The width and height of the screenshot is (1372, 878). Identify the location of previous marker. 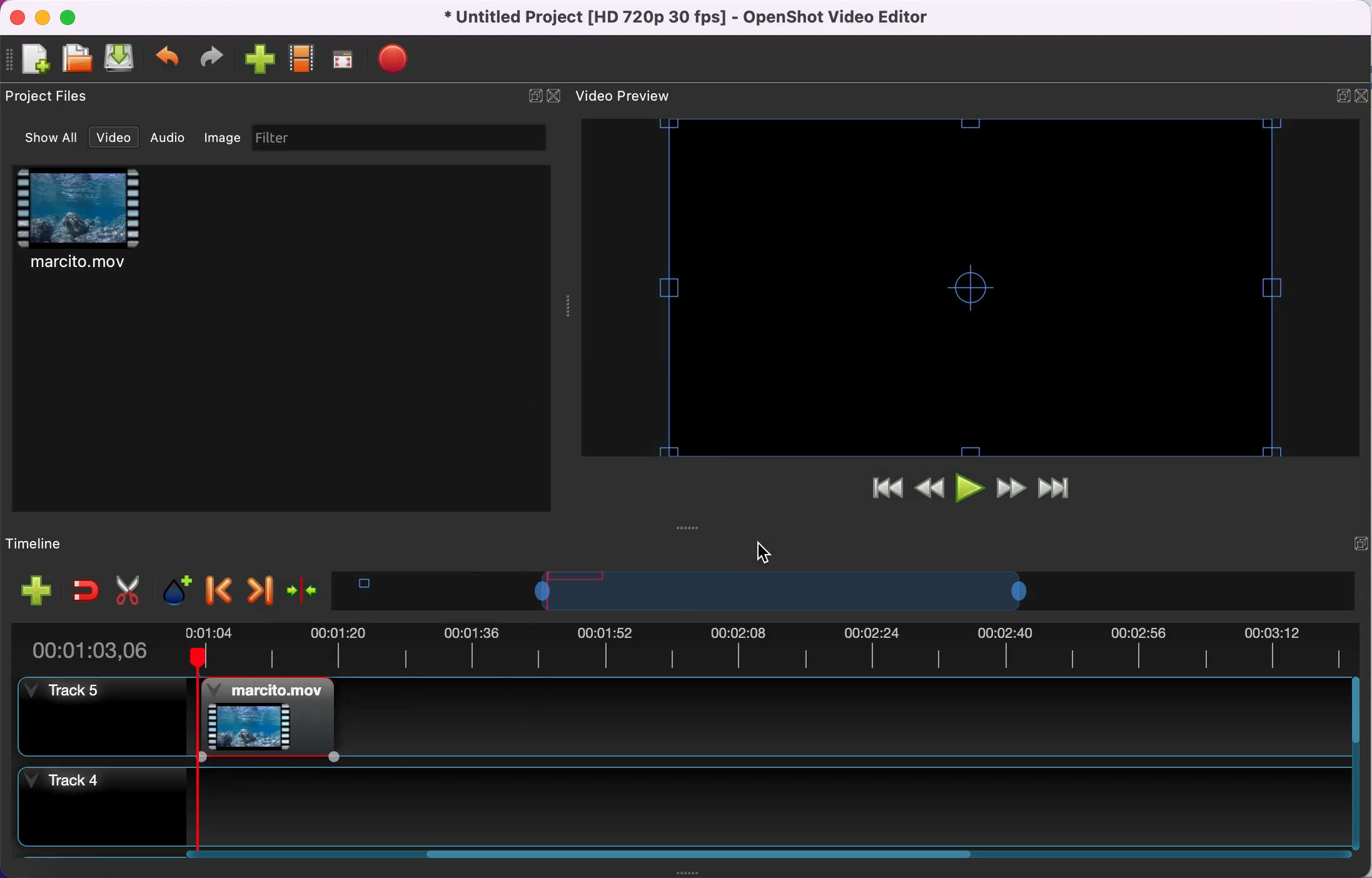
(217, 587).